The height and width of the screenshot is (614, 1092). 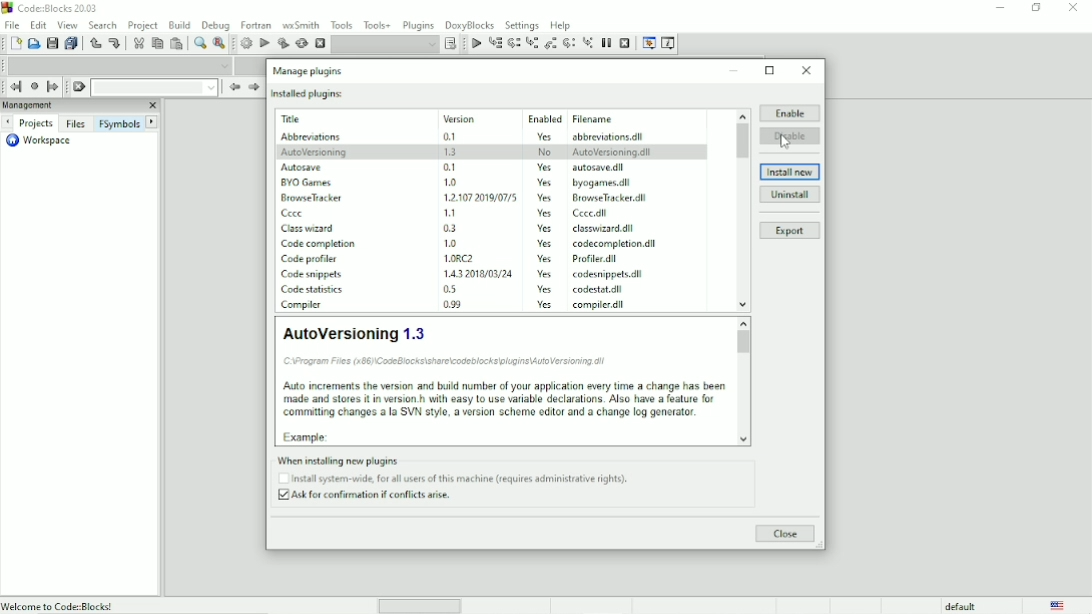 What do you see at coordinates (616, 244) in the screenshot?
I see `Codecompletion.dll` at bounding box center [616, 244].